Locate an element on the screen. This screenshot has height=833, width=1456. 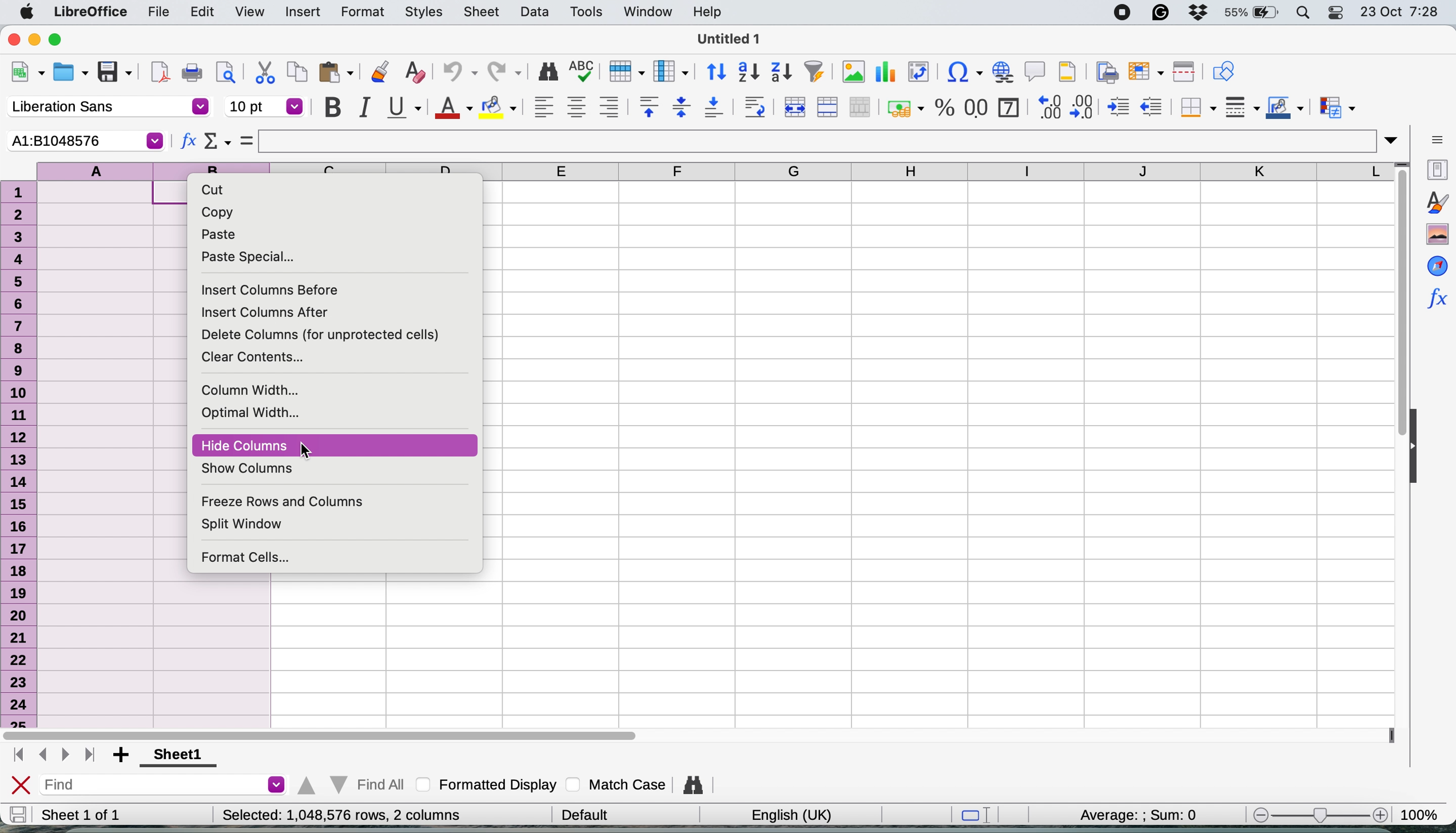
insert is located at coordinates (300, 12).